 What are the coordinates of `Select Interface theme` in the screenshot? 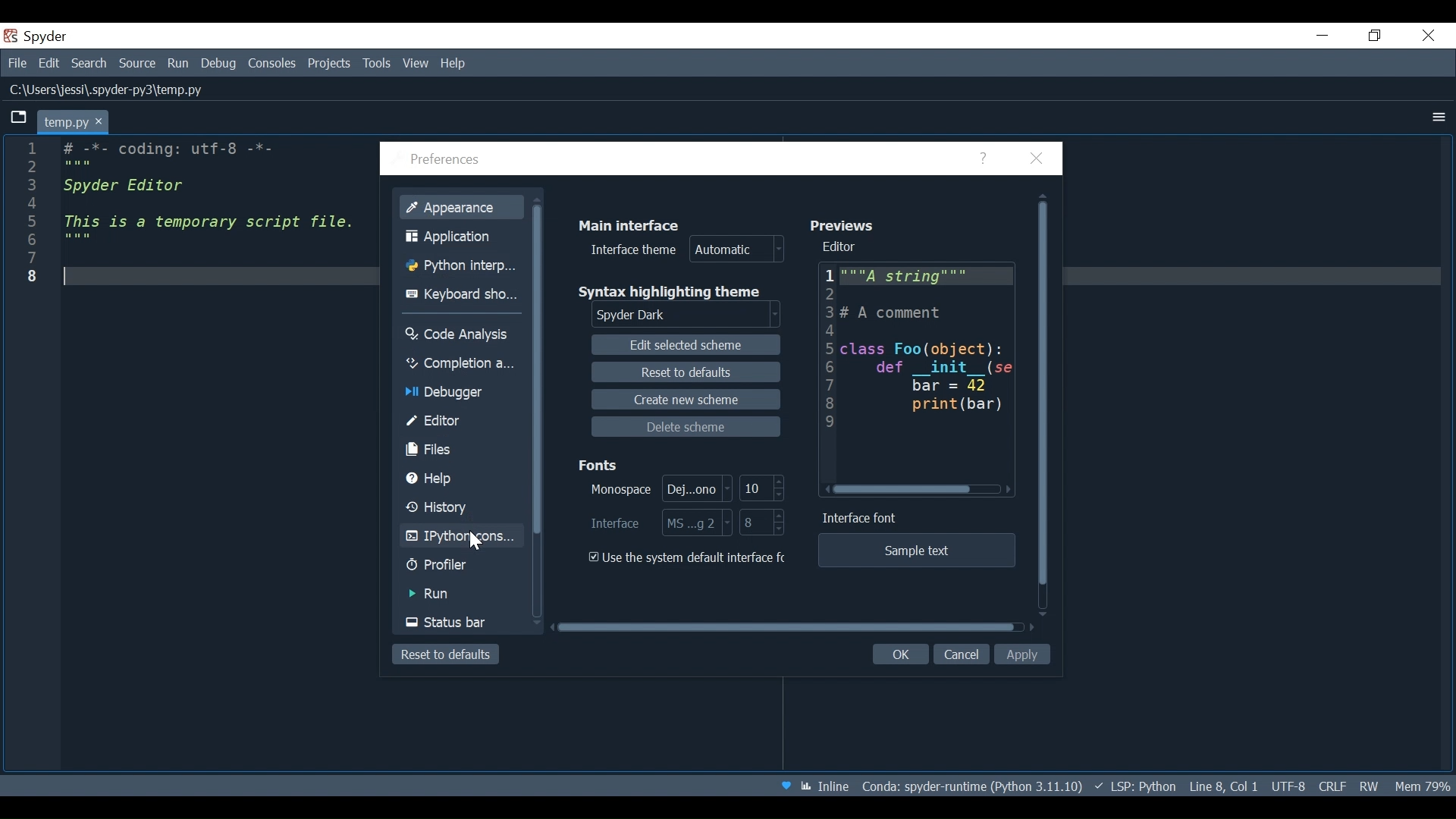 It's located at (682, 251).